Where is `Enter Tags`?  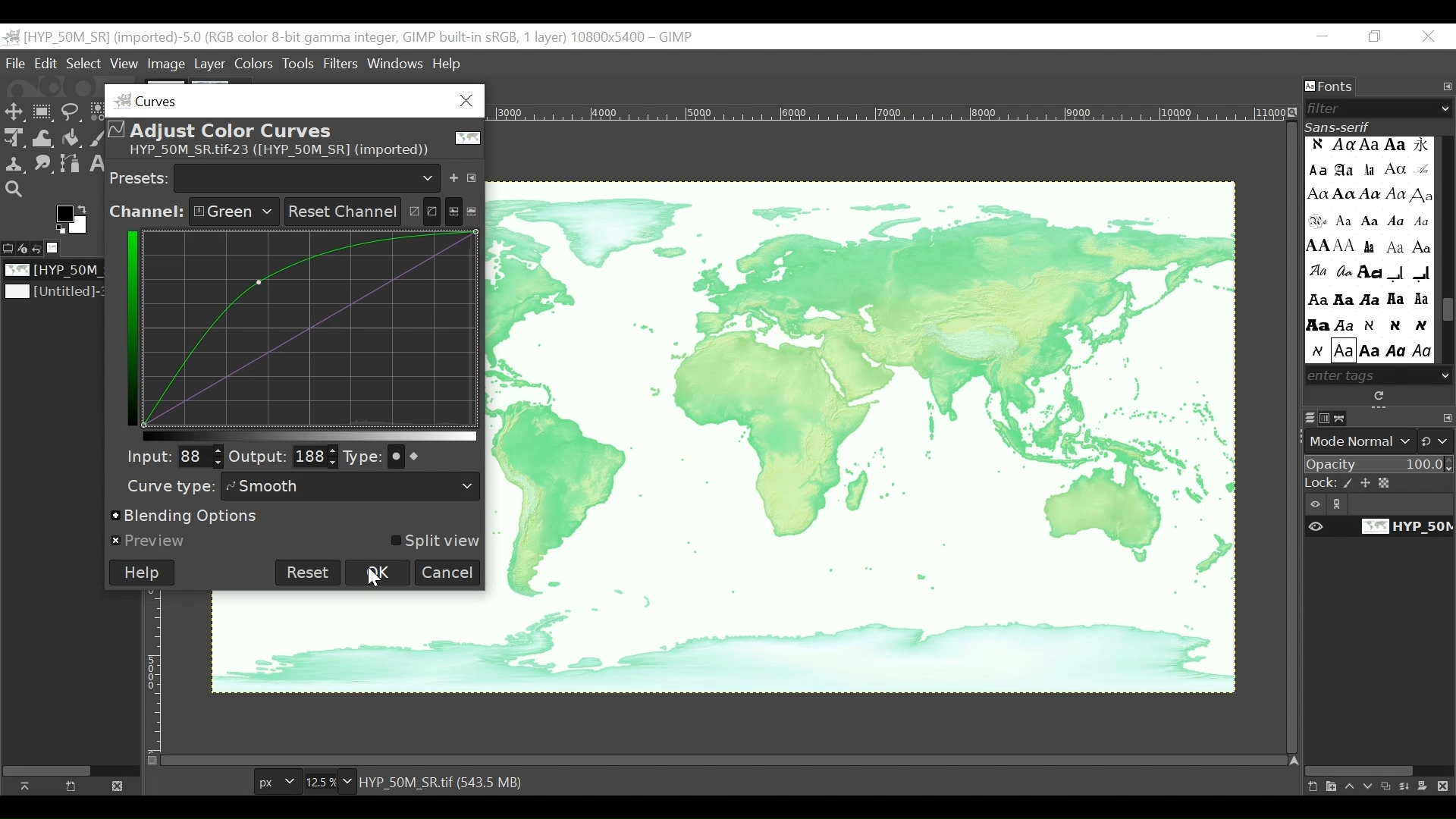
Enter Tags is located at coordinates (1368, 249).